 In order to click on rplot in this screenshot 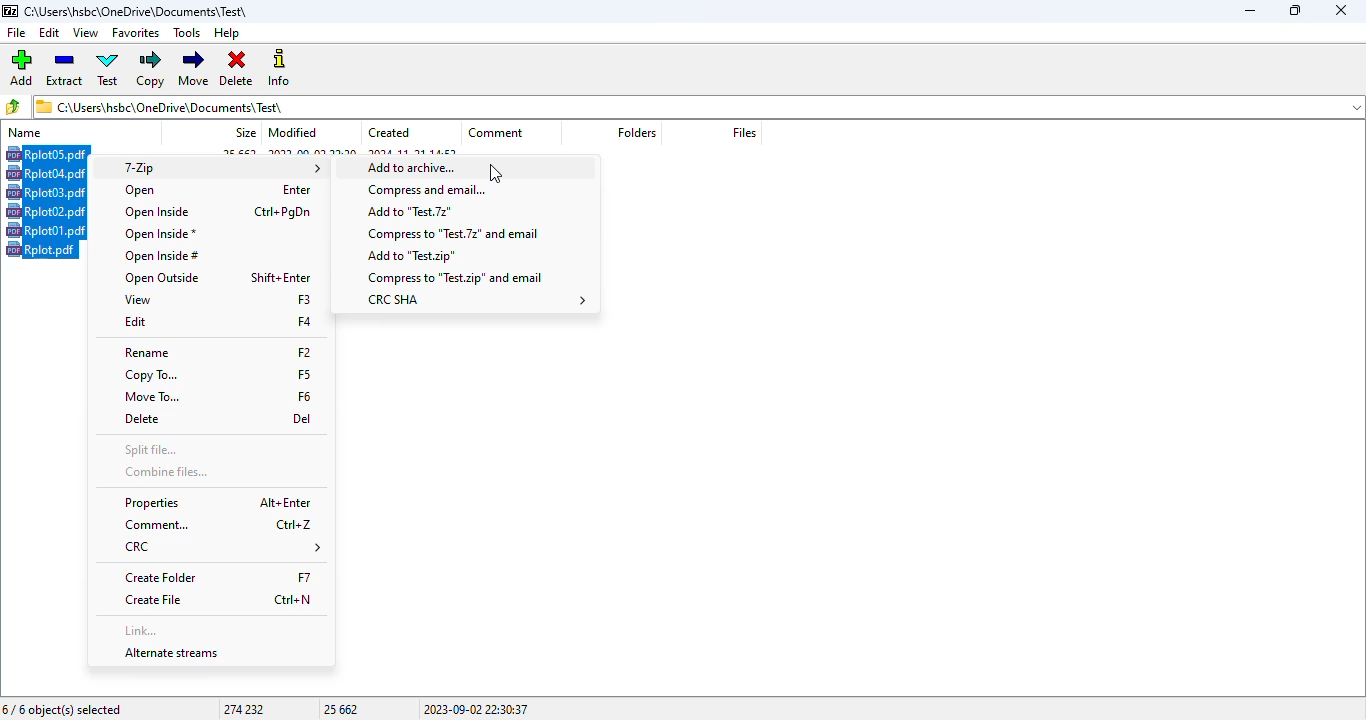, I will do `click(41, 249)`.